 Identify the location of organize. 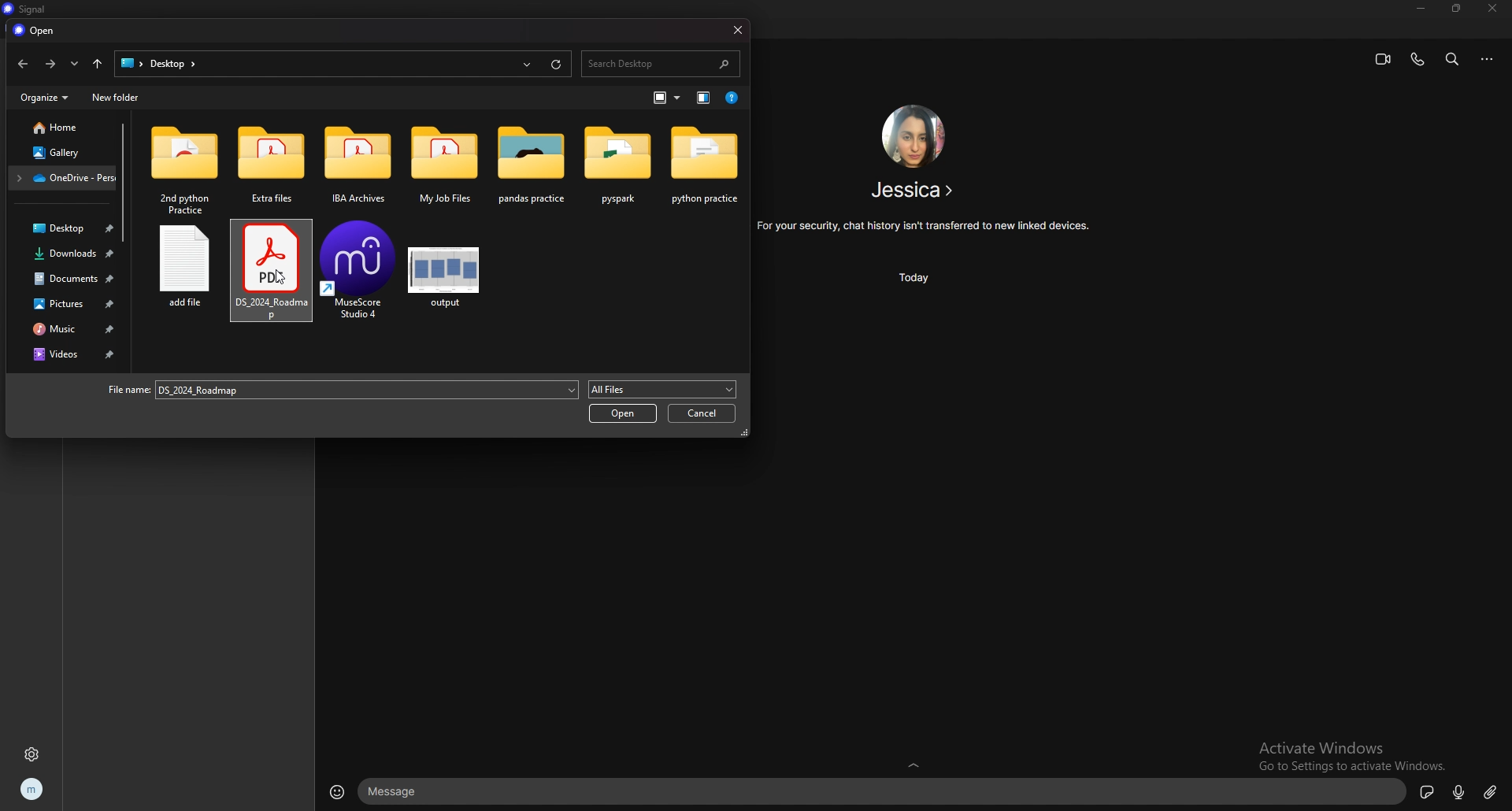
(44, 97).